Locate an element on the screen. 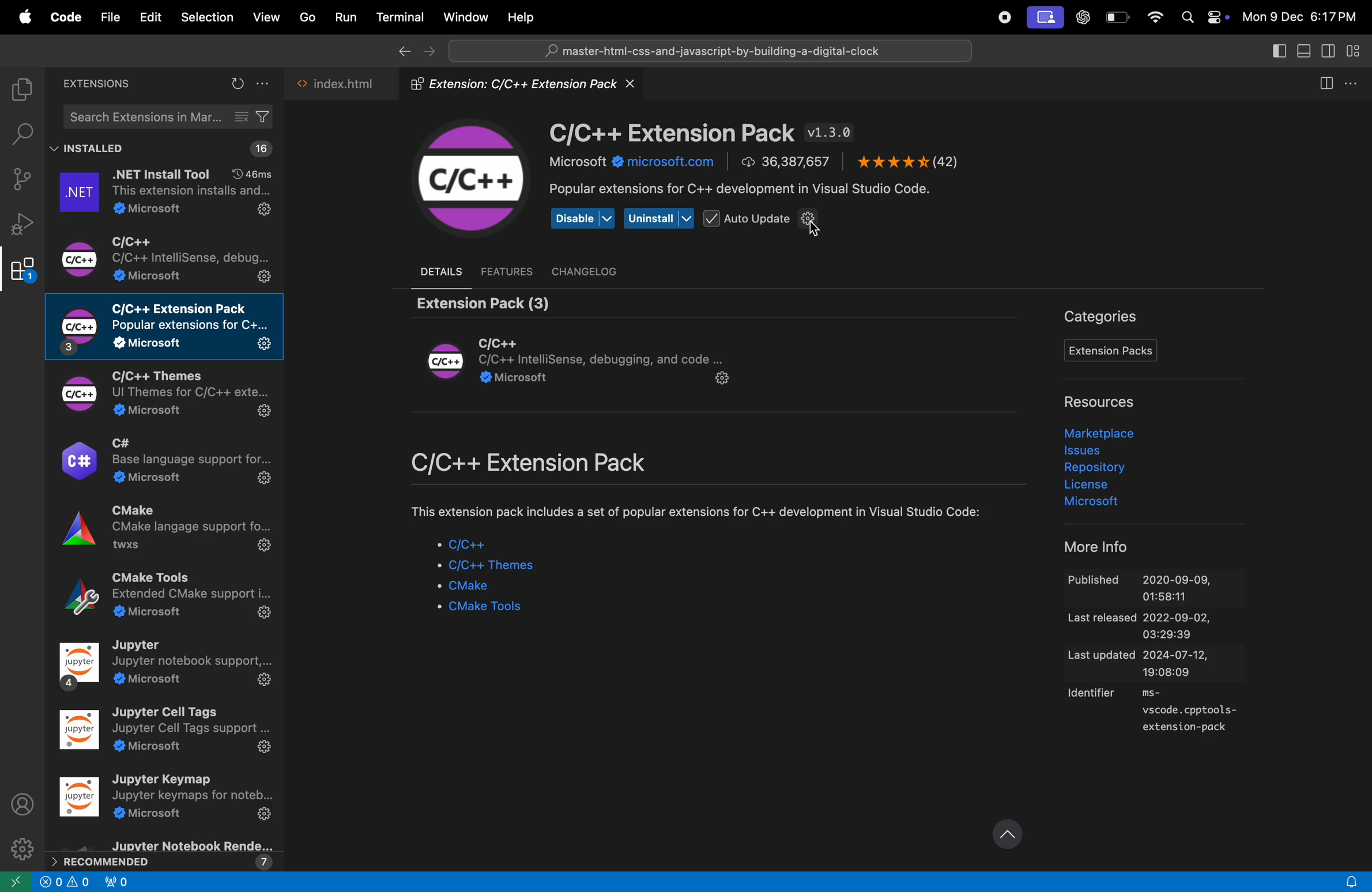  reccomended is located at coordinates (163, 854).